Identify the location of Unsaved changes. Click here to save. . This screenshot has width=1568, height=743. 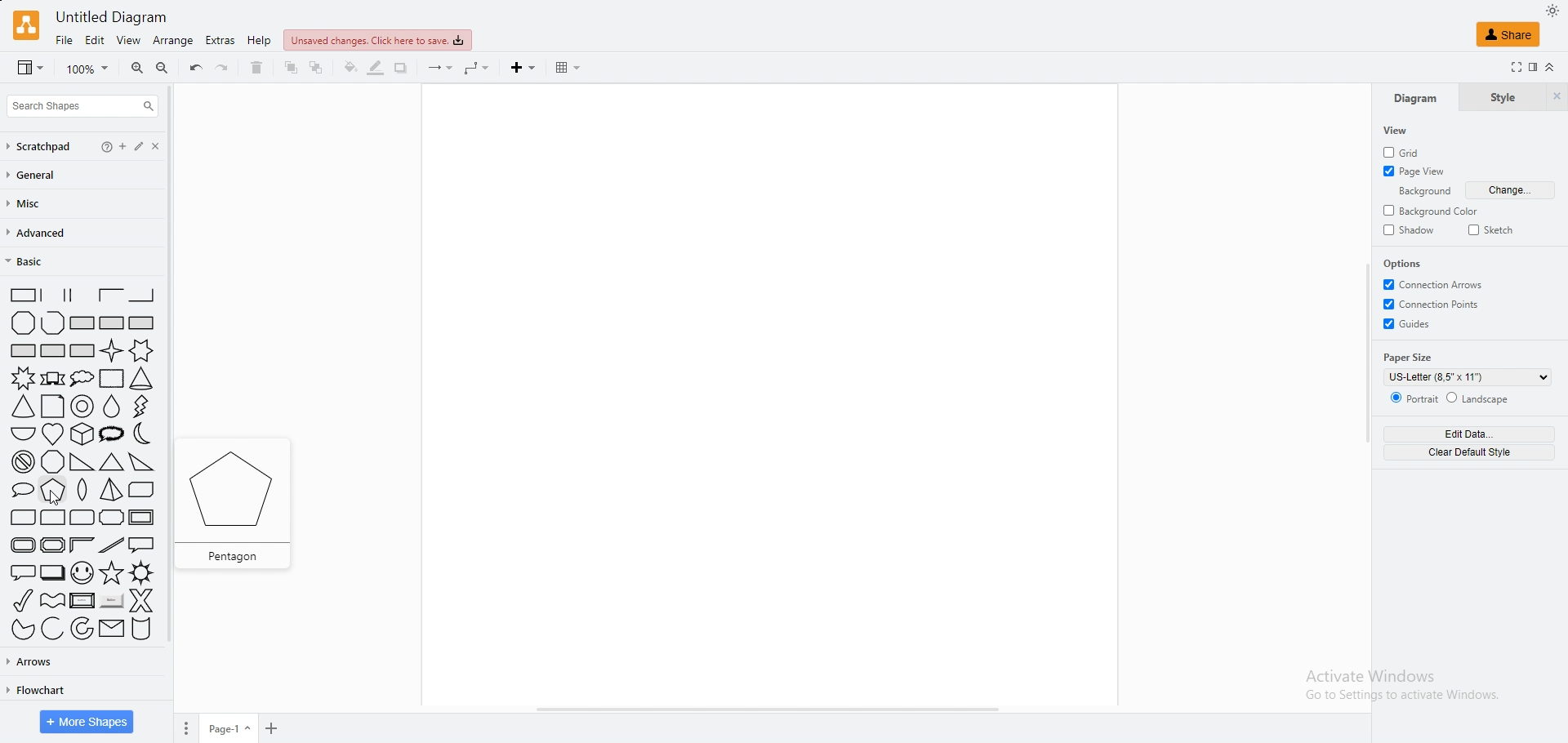
(379, 40).